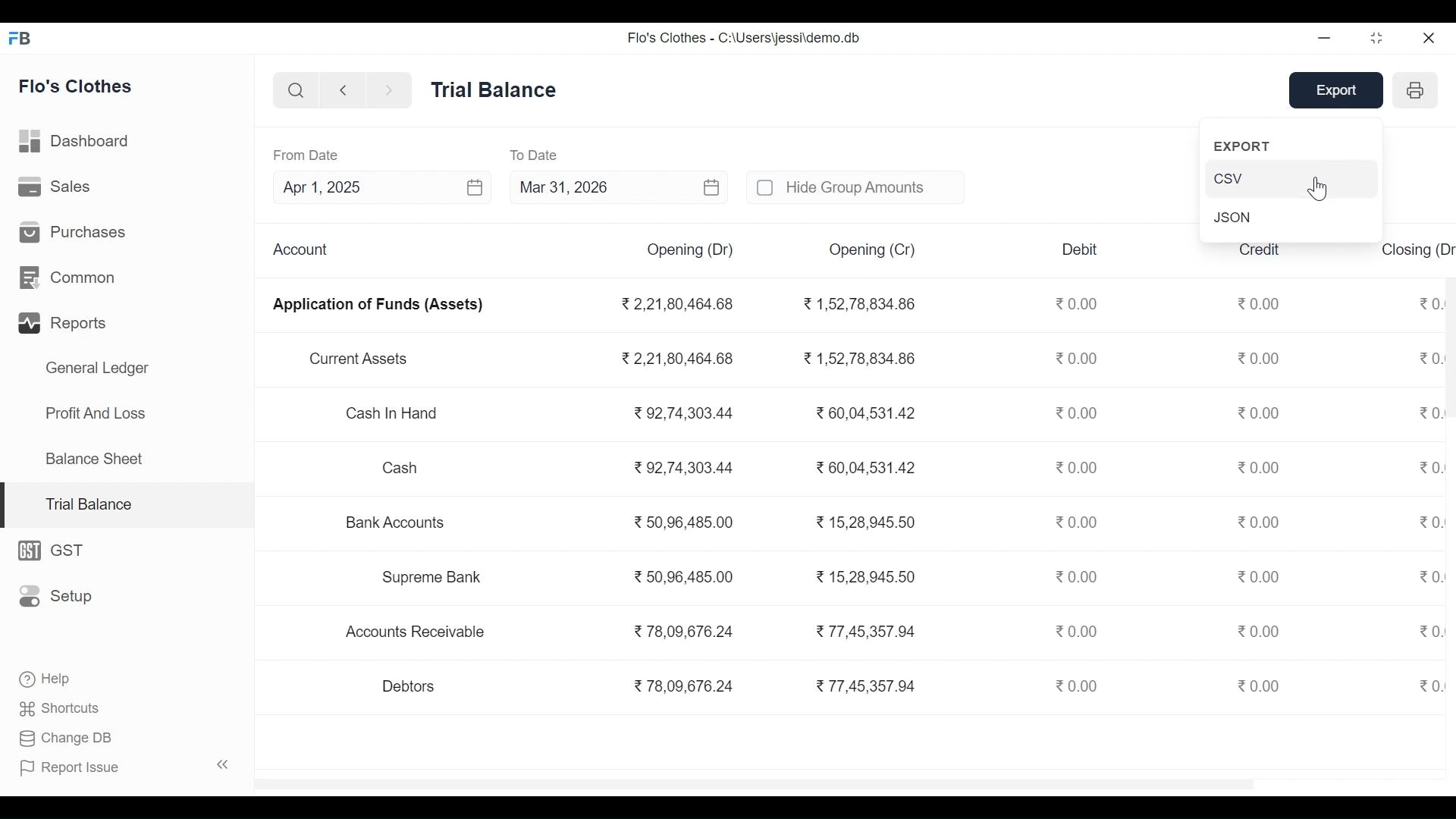 This screenshot has height=819, width=1456. I want to click on 0.00, so click(1430, 415).